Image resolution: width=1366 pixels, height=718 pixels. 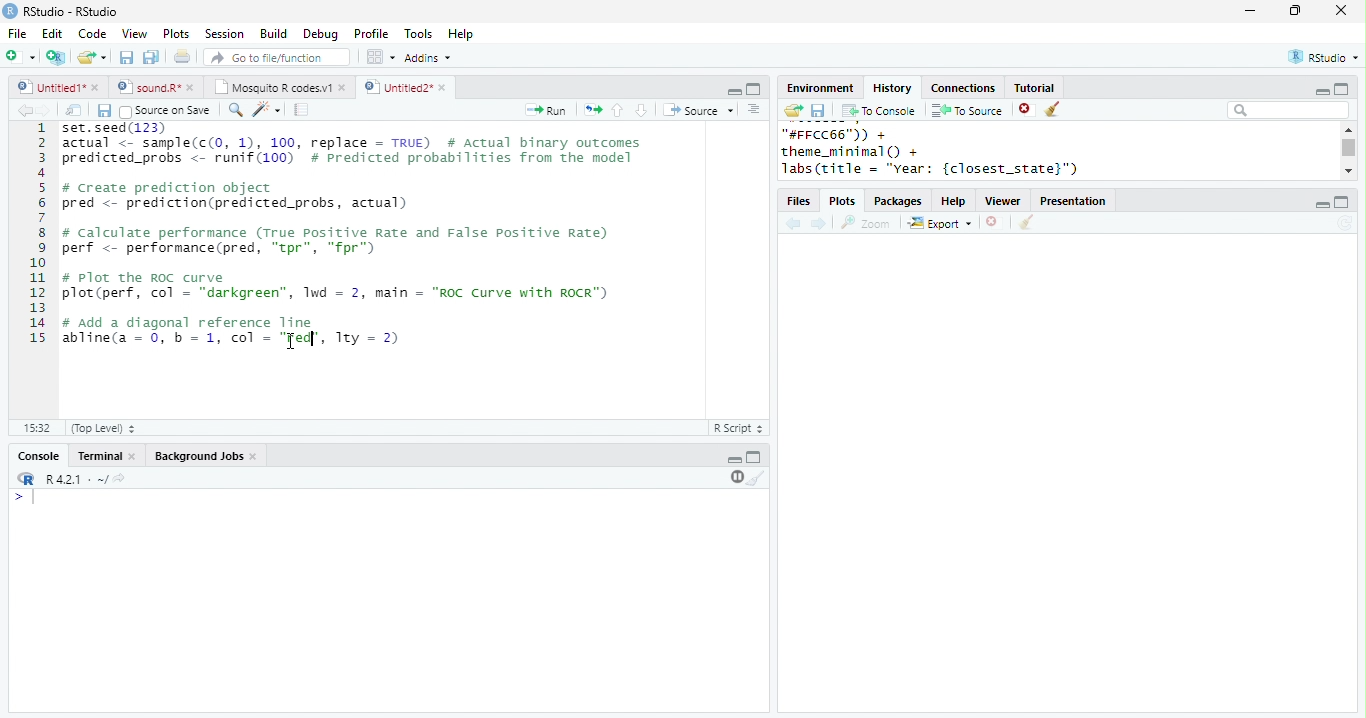 I want to click on Presentation, so click(x=1073, y=201).